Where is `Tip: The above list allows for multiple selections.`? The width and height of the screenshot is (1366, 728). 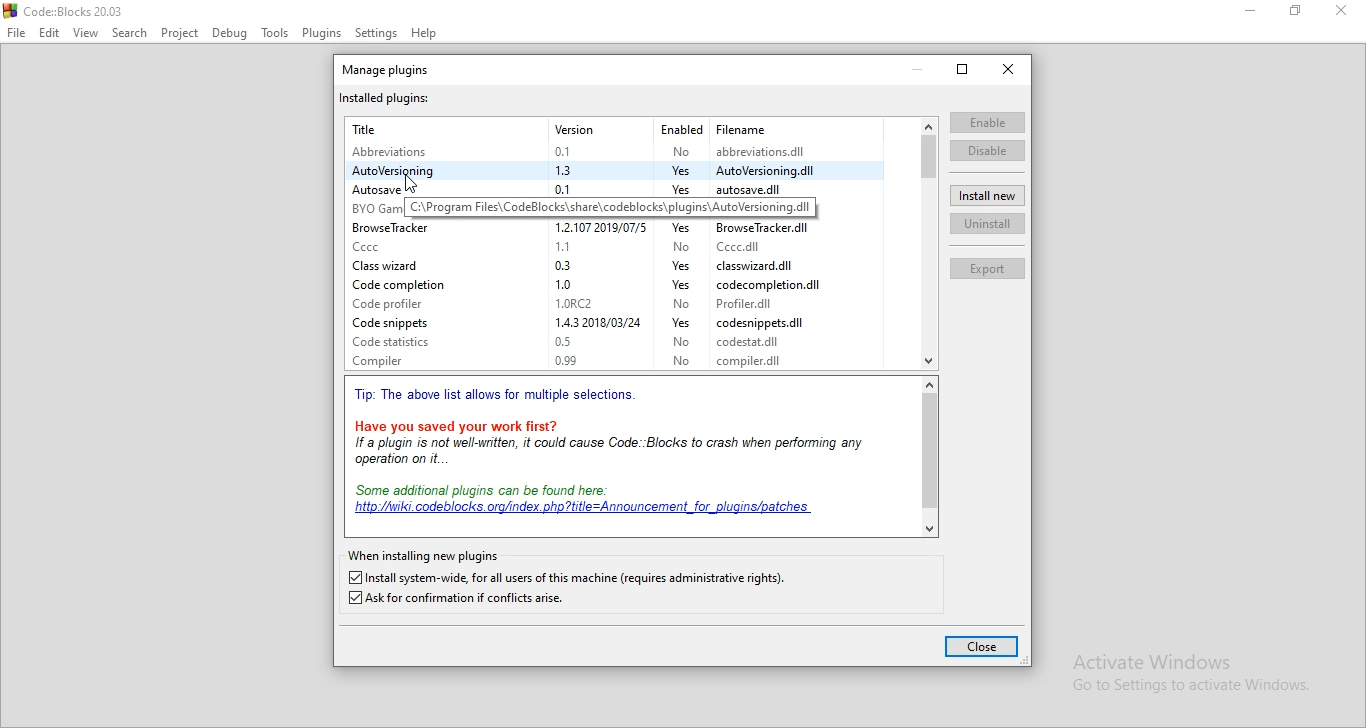 Tip: The above list allows for multiple selections. is located at coordinates (501, 396).